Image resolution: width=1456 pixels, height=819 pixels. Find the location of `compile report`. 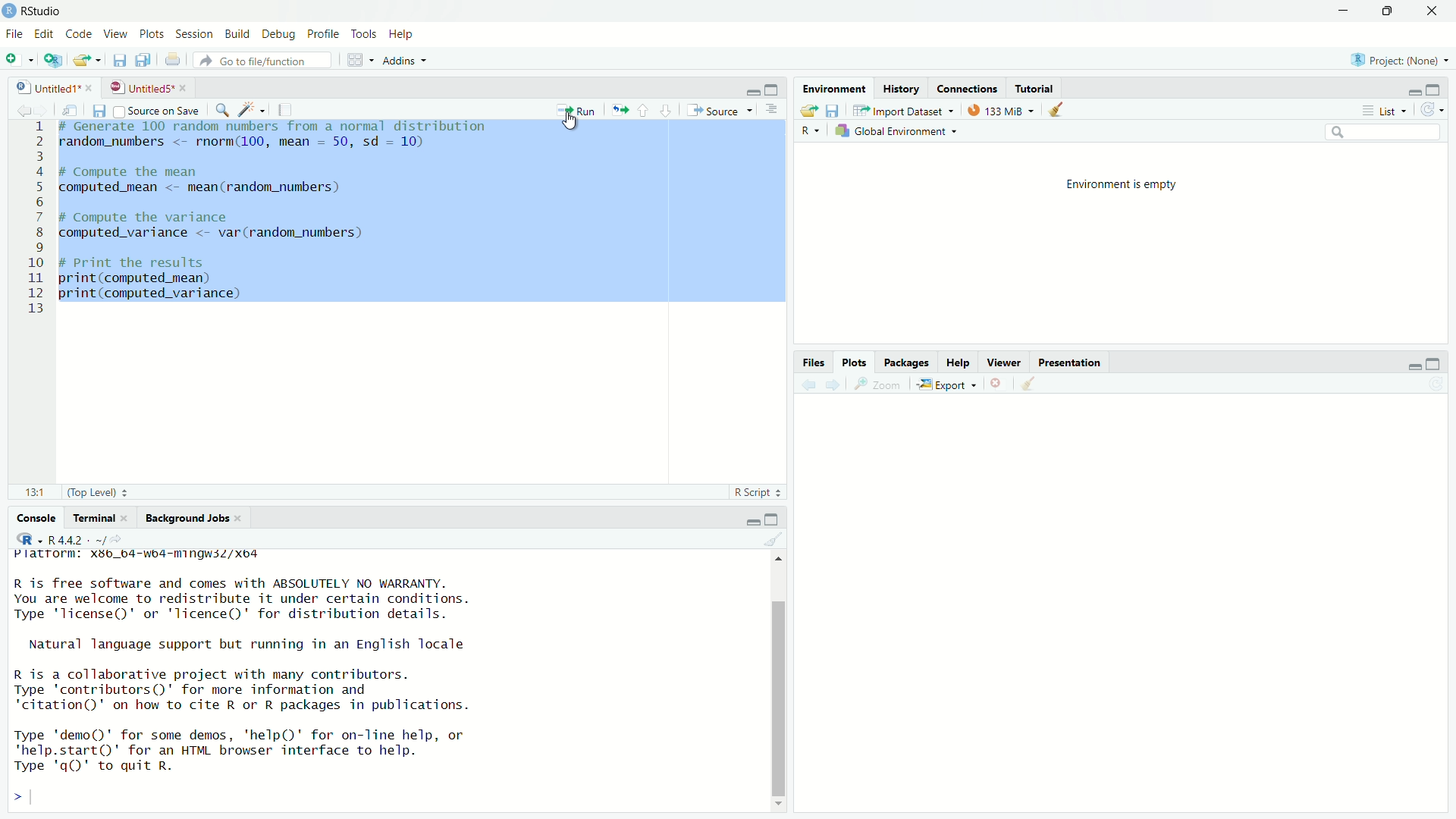

compile report is located at coordinates (286, 109).